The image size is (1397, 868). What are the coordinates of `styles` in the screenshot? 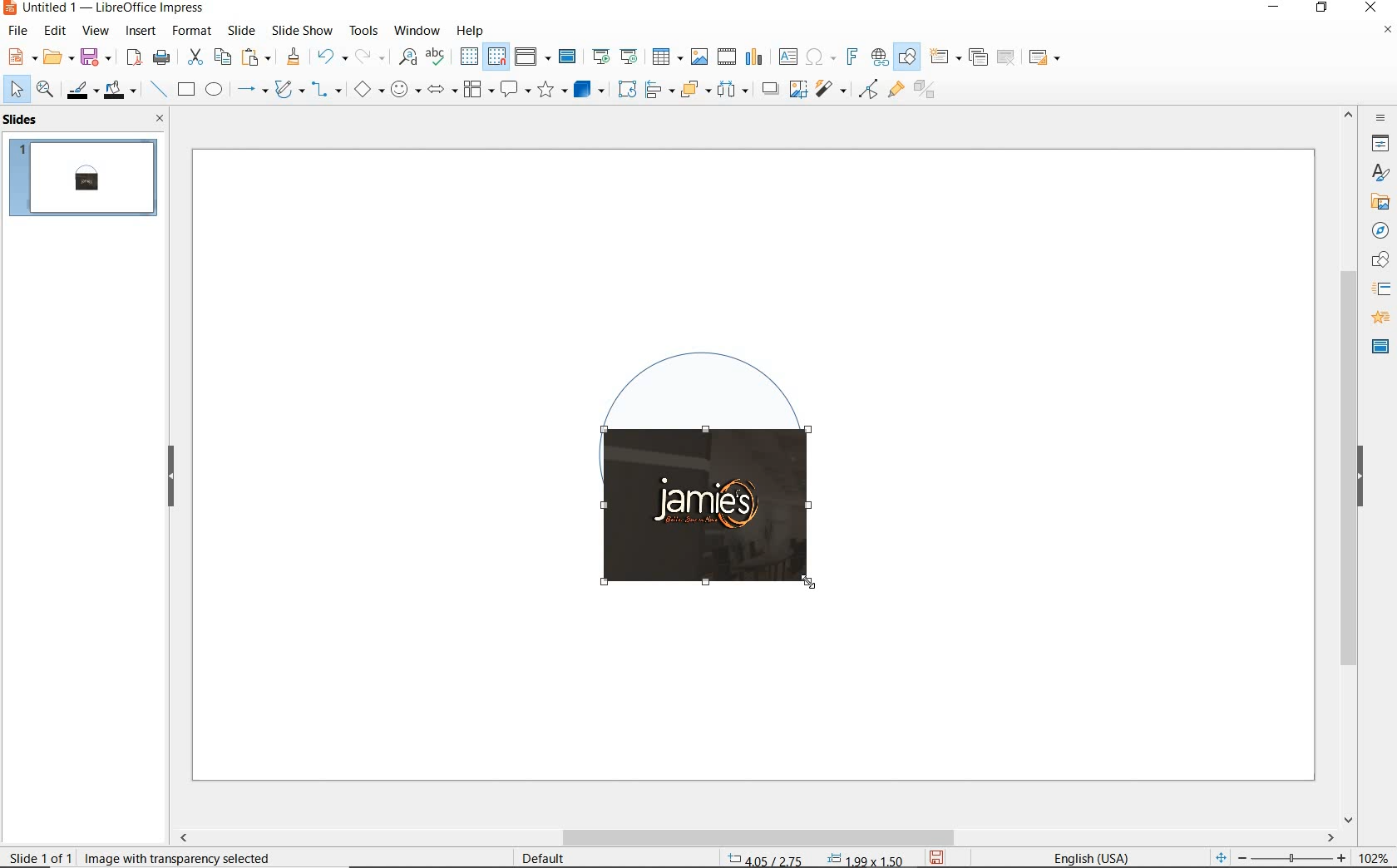 It's located at (1380, 174).